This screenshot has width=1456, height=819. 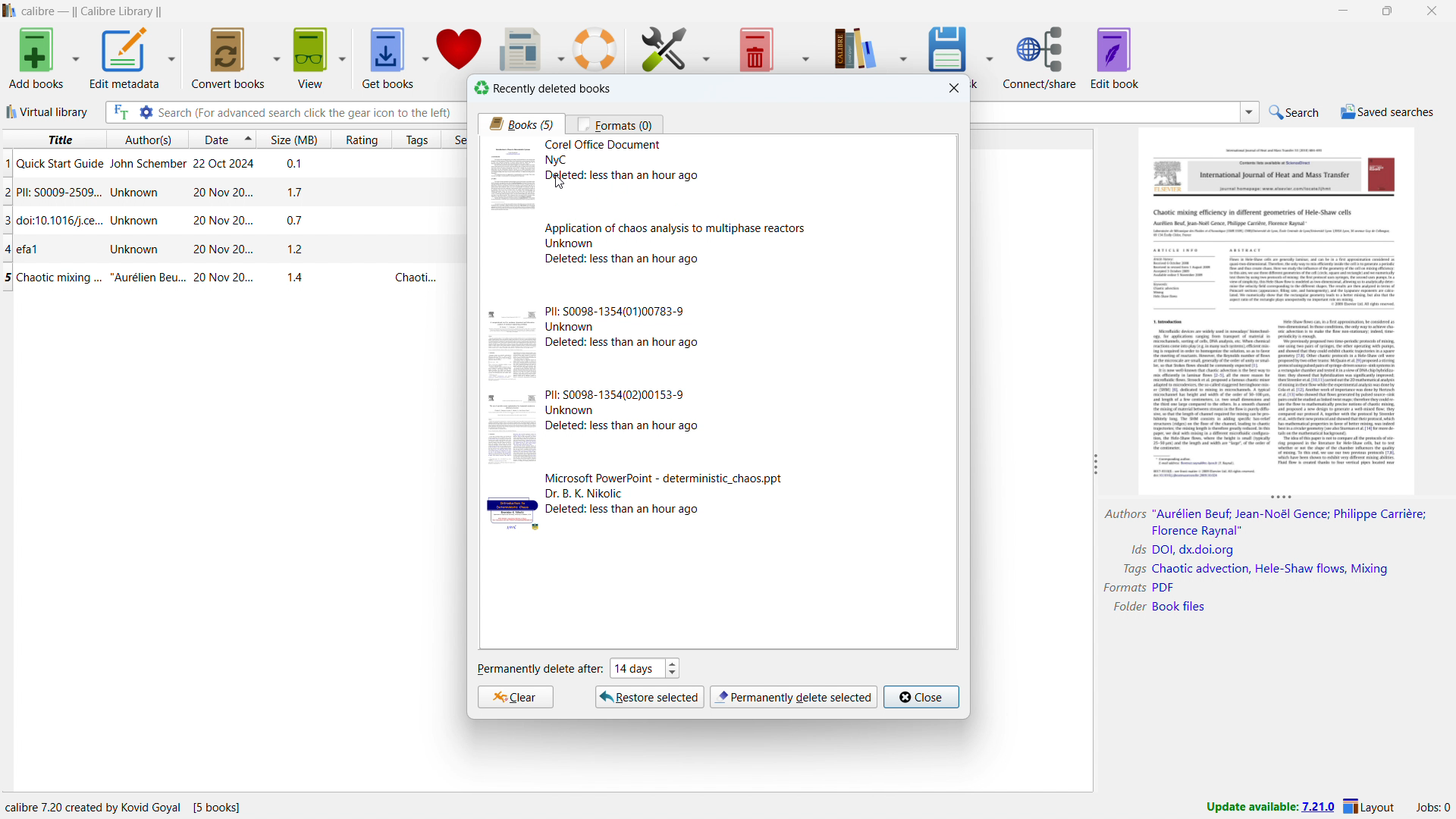 What do you see at coordinates (539, 670) in the screenshot?
I see `permanently delete after` at bounding box center [539, 670].